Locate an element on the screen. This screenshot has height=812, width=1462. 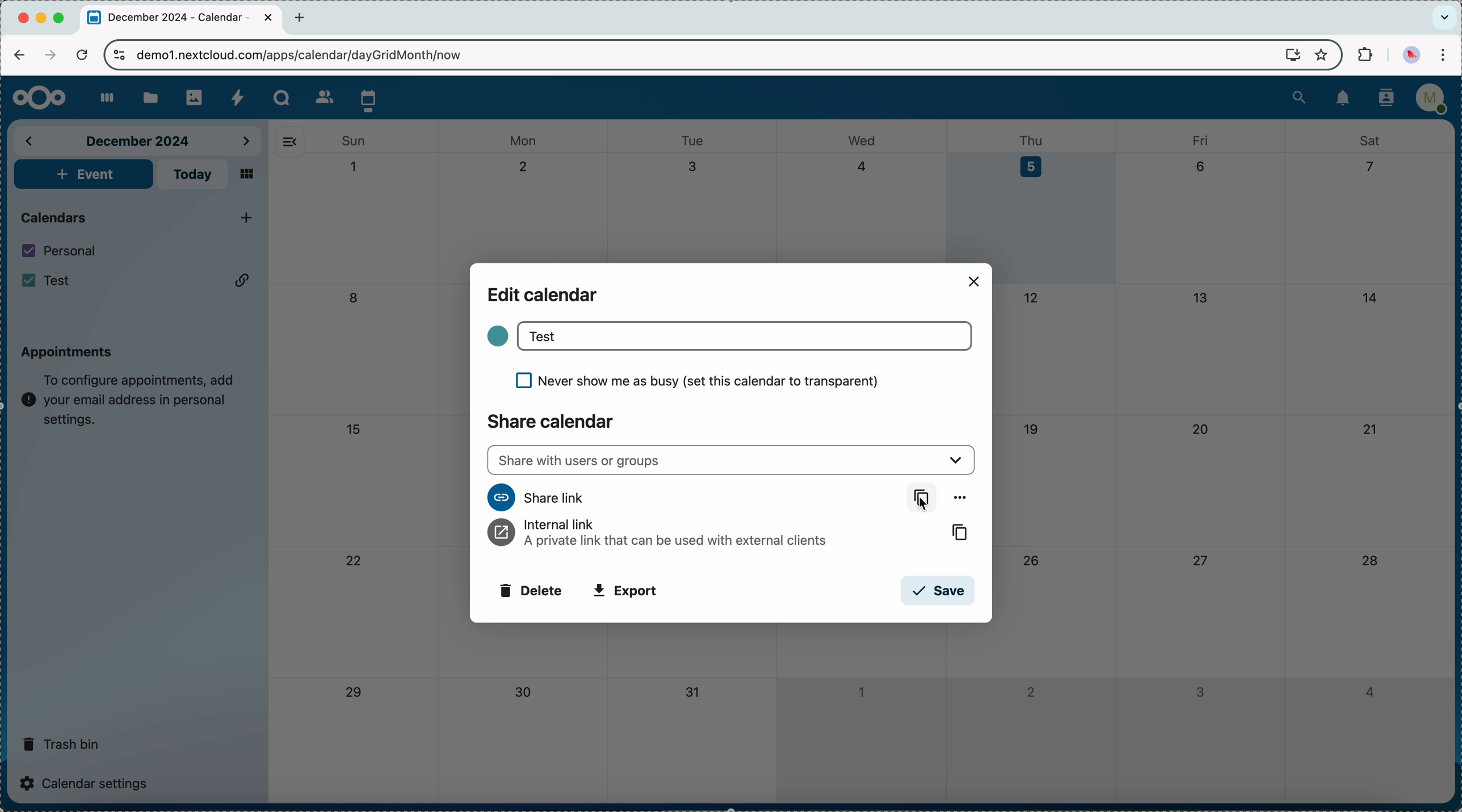
close Chrome is located at coordinates (23, 19).